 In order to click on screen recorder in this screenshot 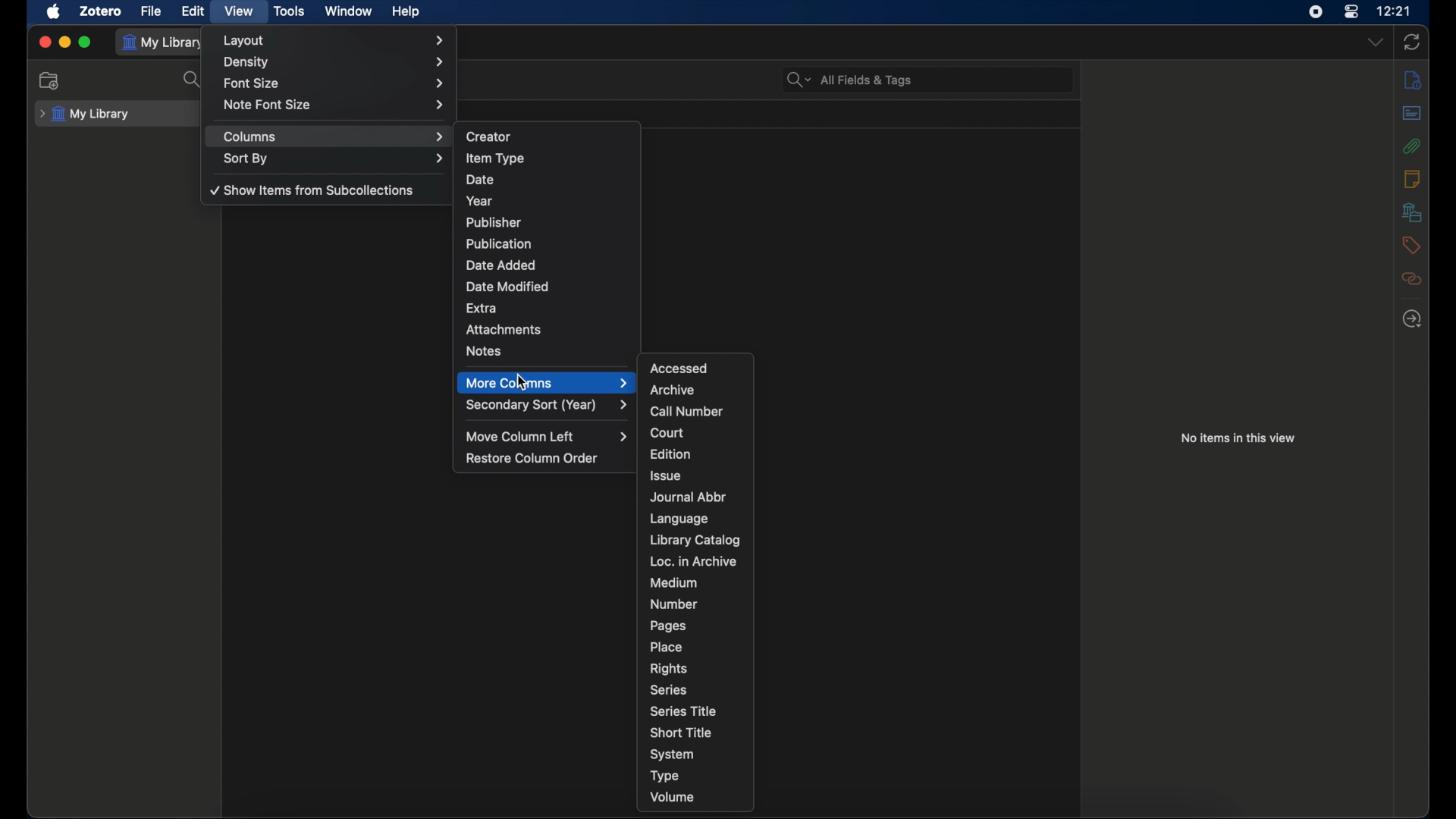, I will do `click(1316, 12)`.